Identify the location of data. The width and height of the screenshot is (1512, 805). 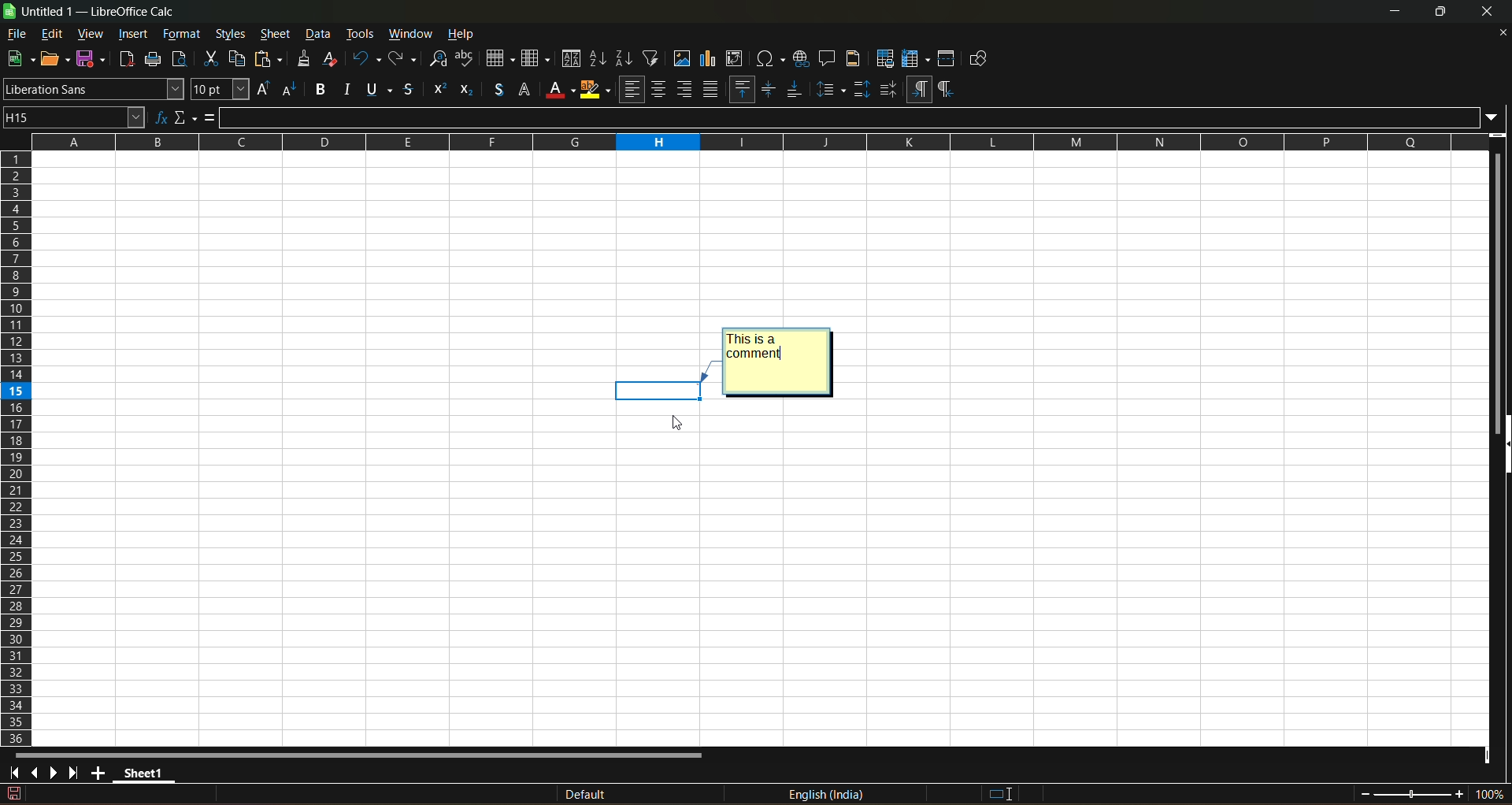
(320, 35).